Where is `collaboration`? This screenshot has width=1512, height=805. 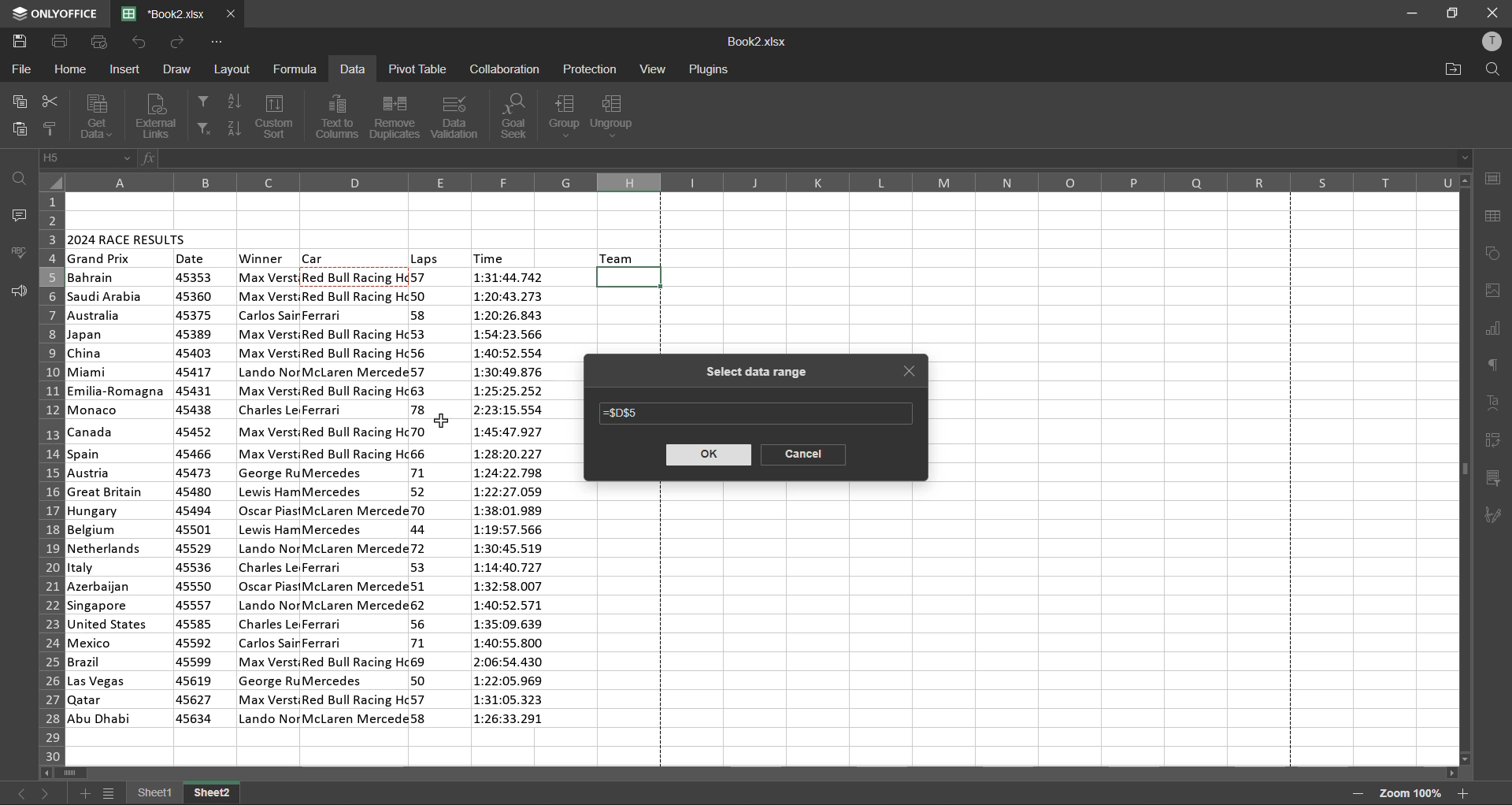
collaboration is located at coordinates (504, 69).